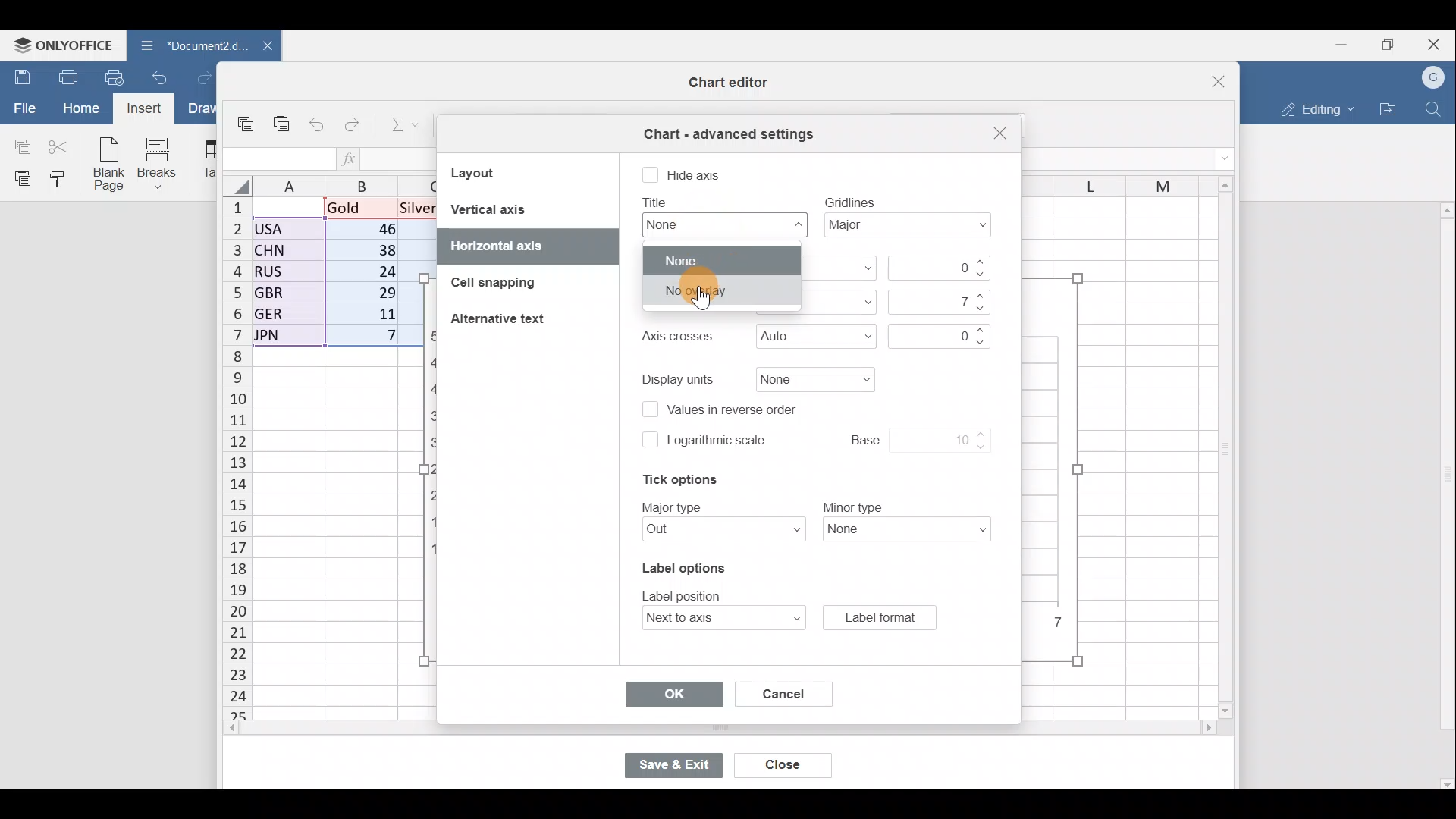 This screenshot has width=1456, height=819. I want to click on text, so click(675, 337).